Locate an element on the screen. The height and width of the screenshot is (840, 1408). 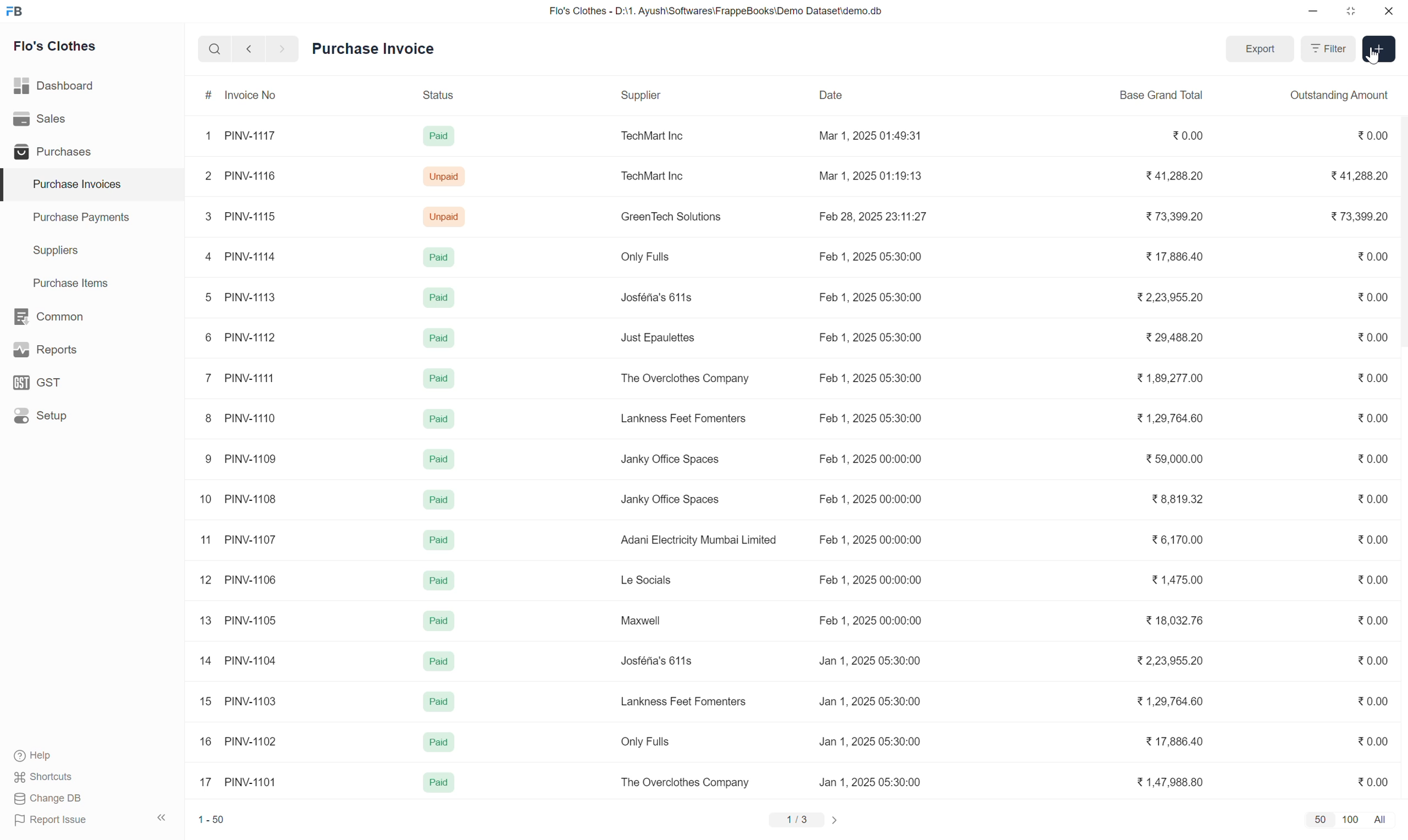
Purchase Invoice is located at coordinates (374, 49).